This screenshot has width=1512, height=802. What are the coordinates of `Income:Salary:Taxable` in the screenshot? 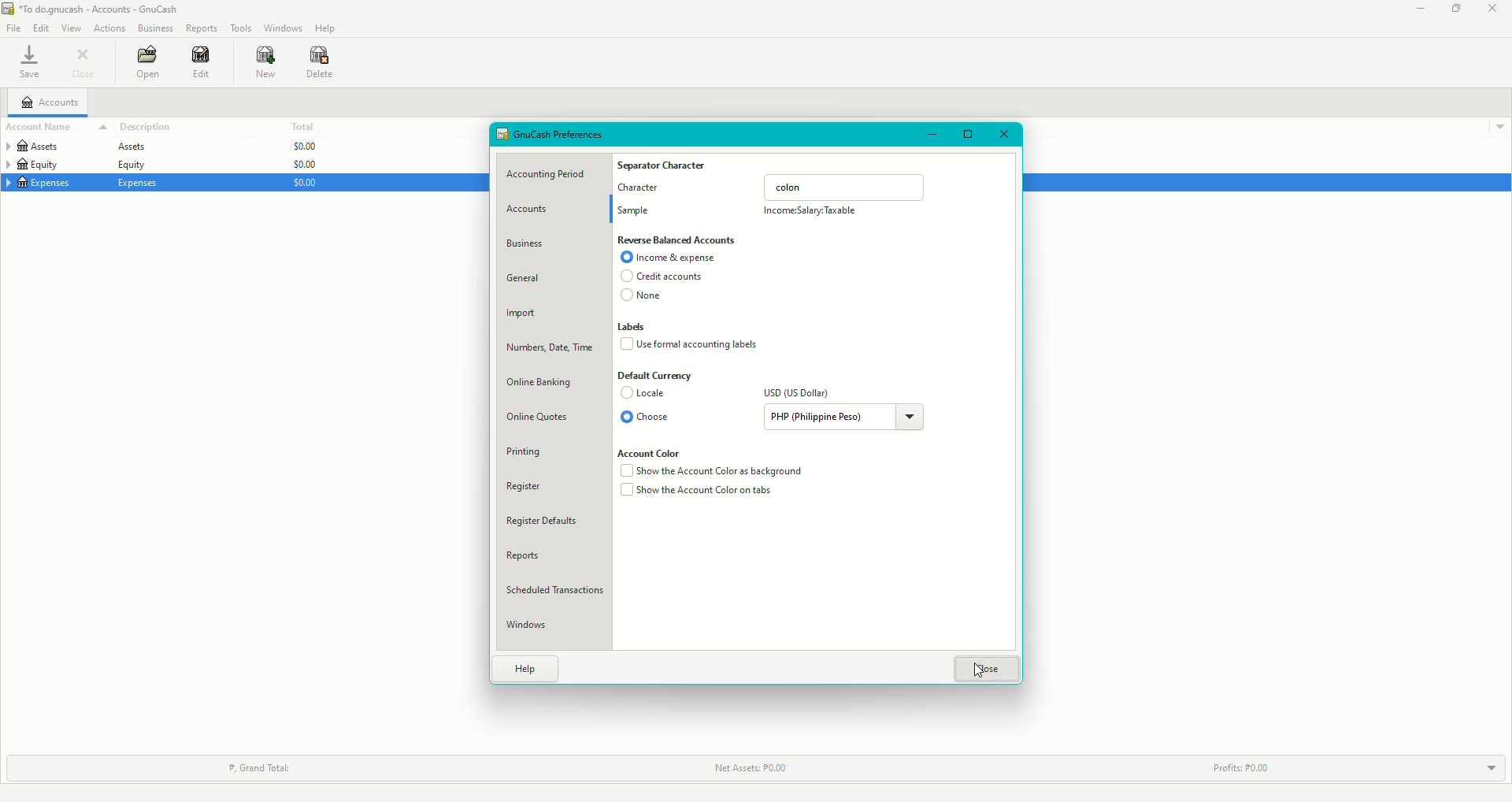 It's located at (813, 212).